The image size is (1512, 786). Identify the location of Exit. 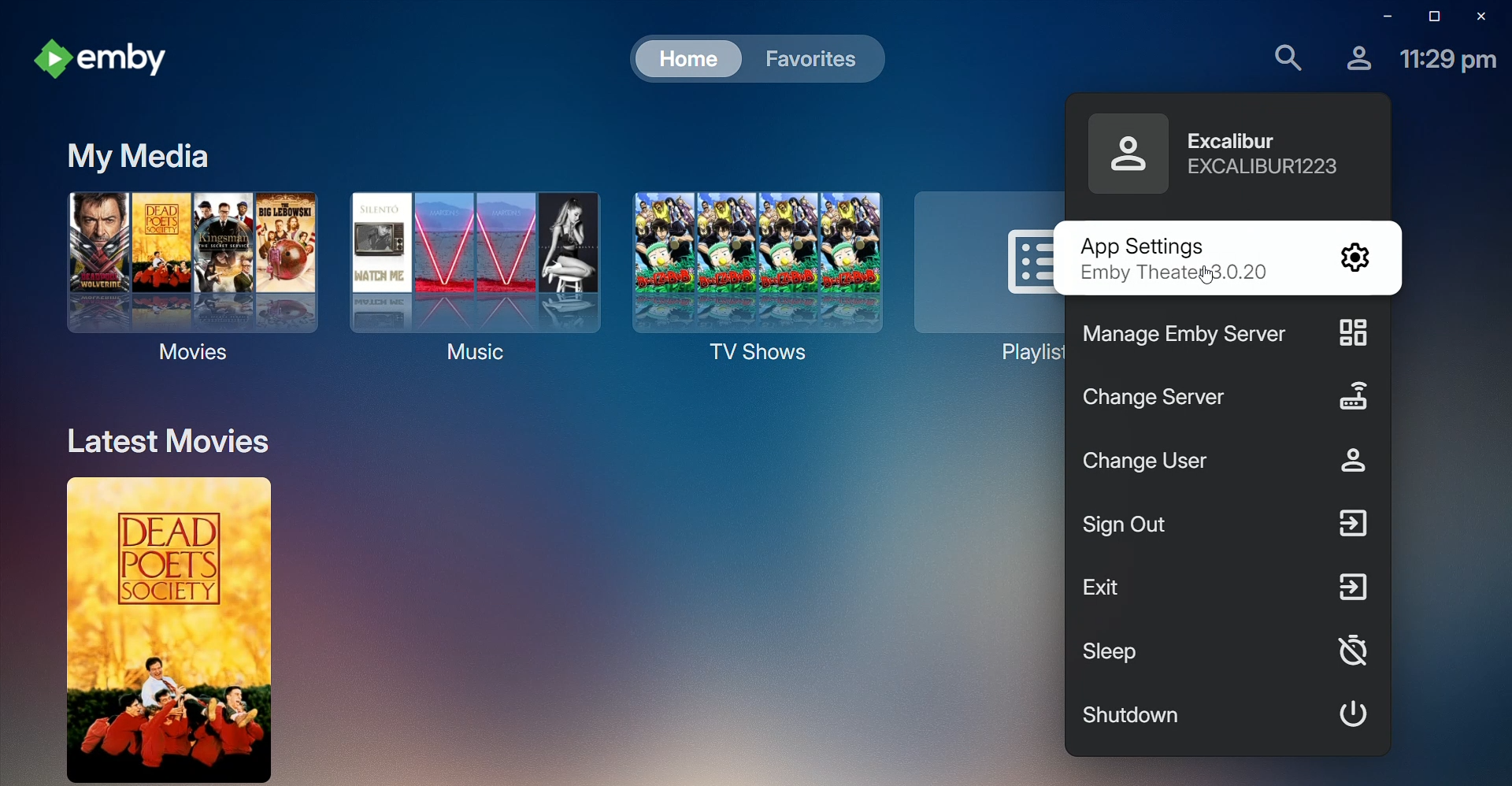
(1233, 593).